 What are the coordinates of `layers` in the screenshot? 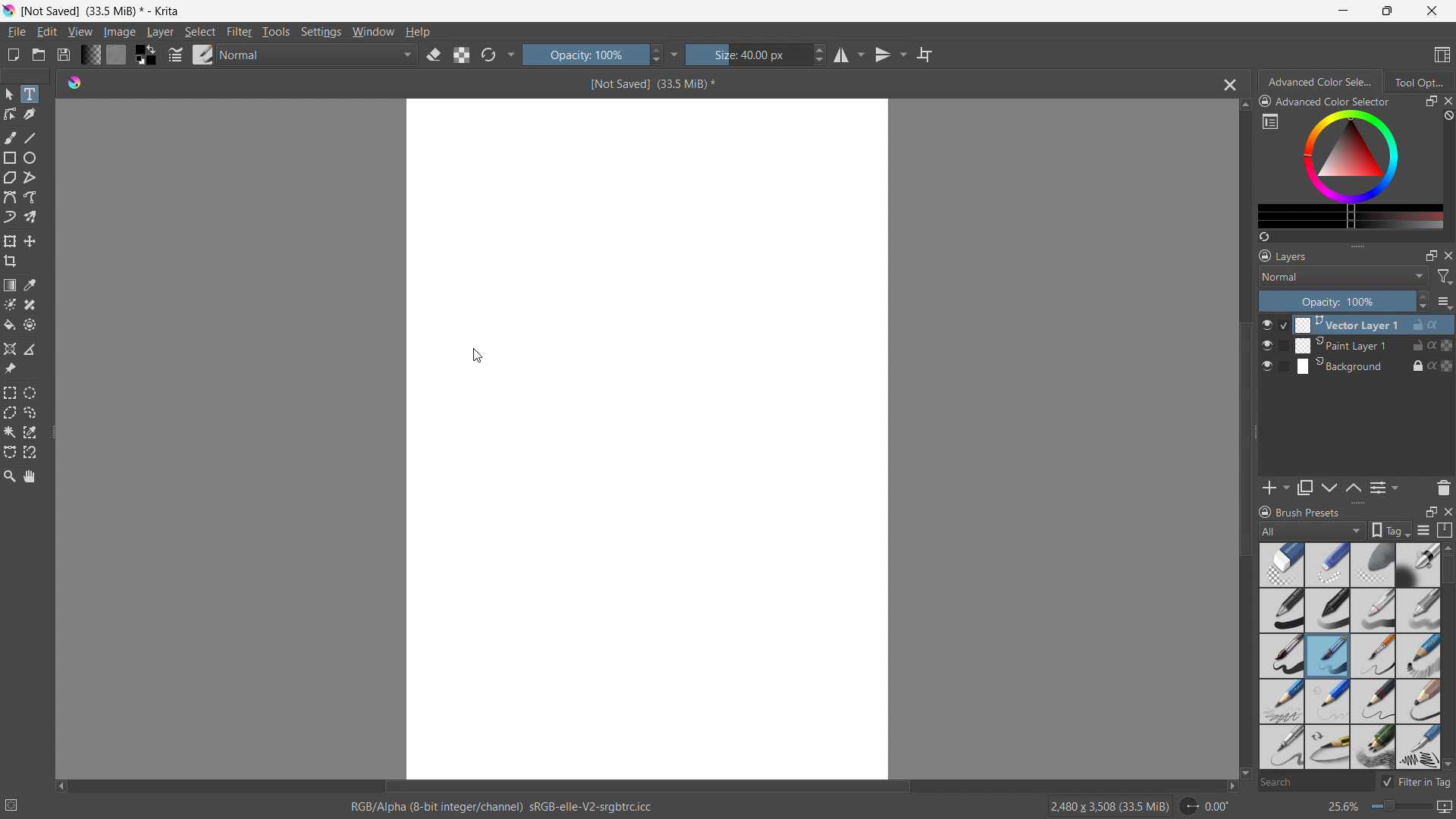 It's located at (1283, 255).